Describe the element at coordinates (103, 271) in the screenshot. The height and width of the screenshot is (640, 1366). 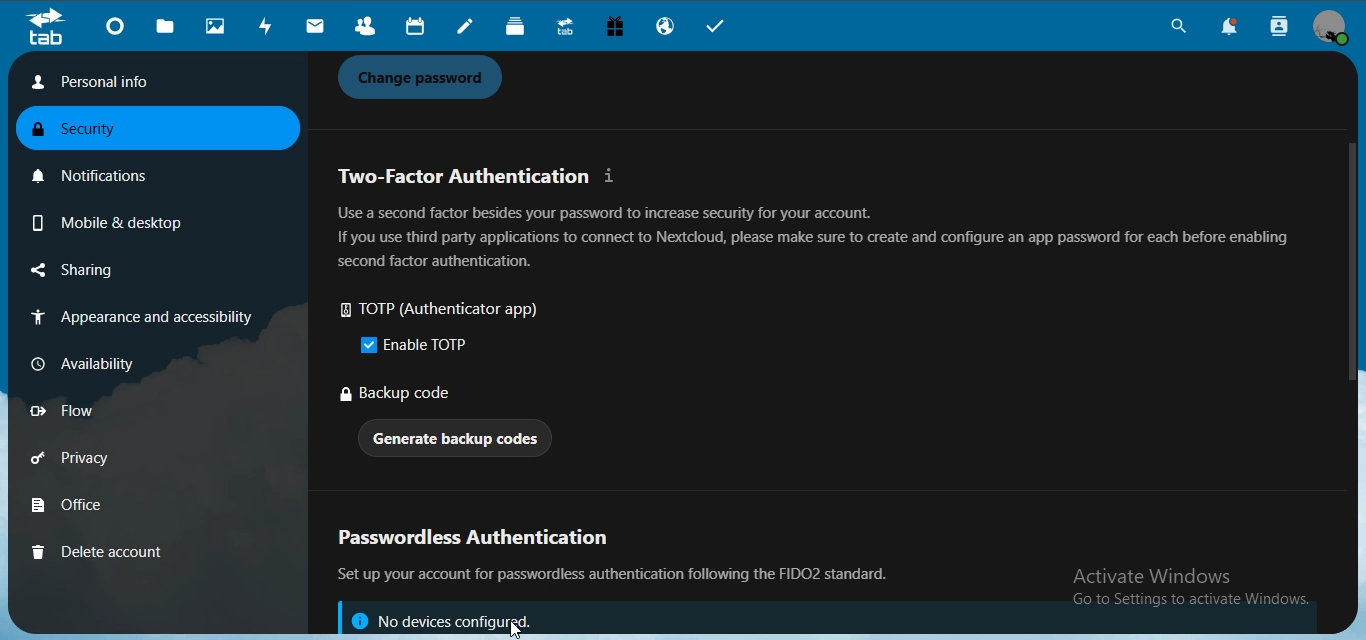
I see `sharing` at that location.